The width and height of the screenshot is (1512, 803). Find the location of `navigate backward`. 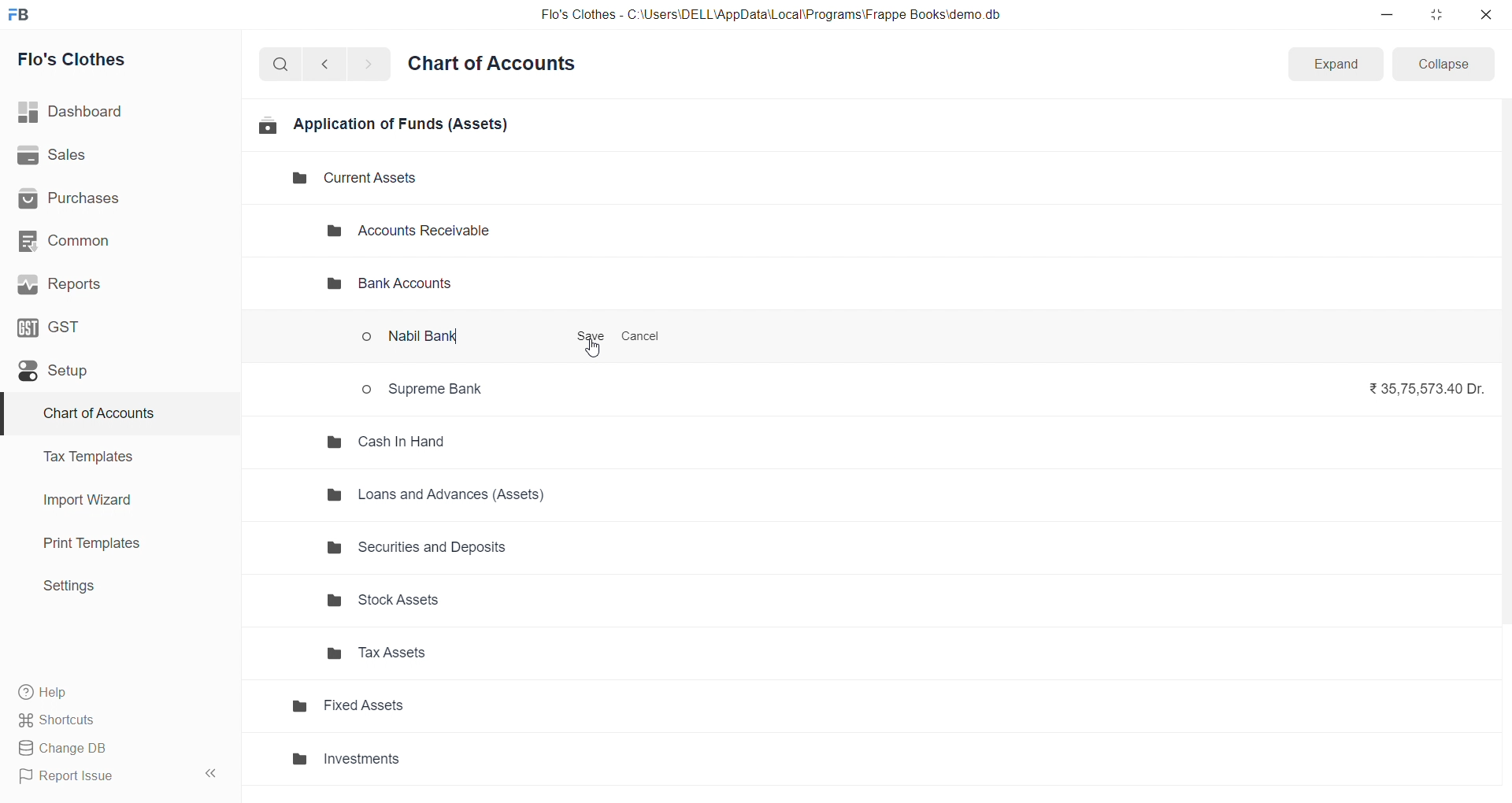

navigate backward is located at coordinates (332, 62).